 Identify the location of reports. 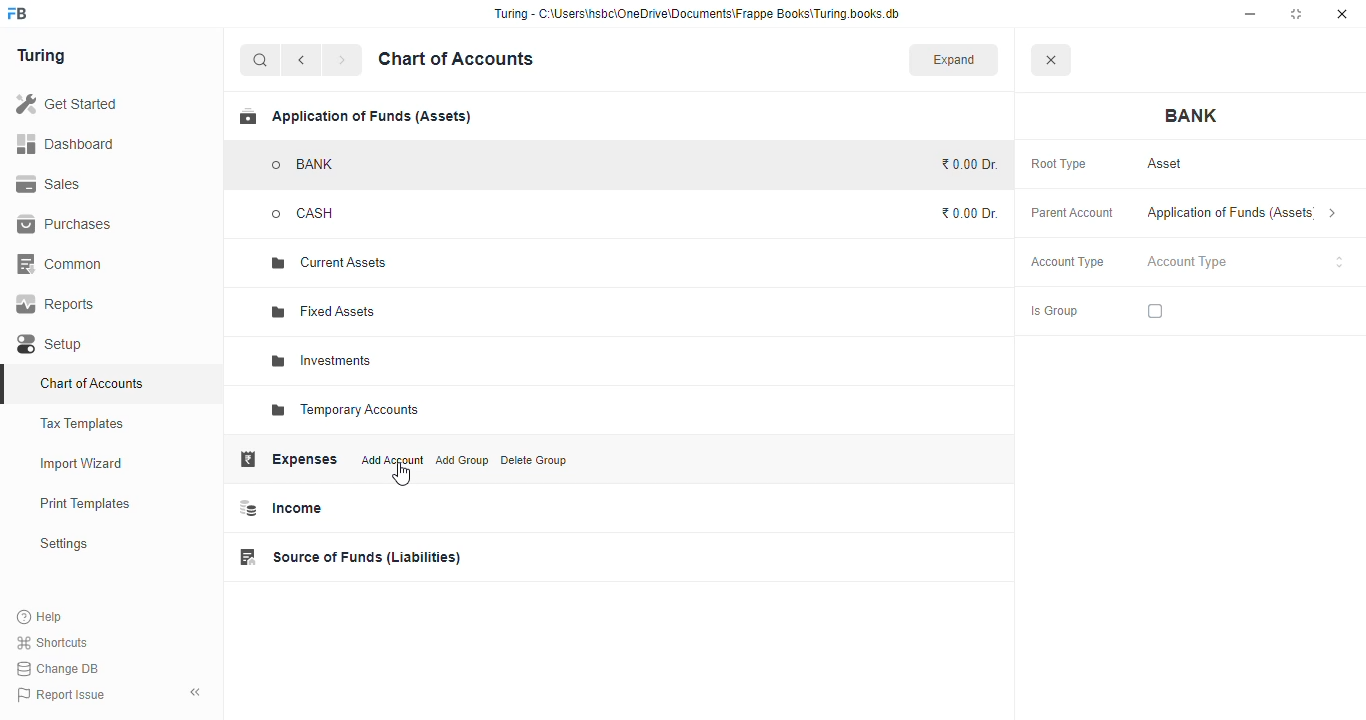
(56, 304).